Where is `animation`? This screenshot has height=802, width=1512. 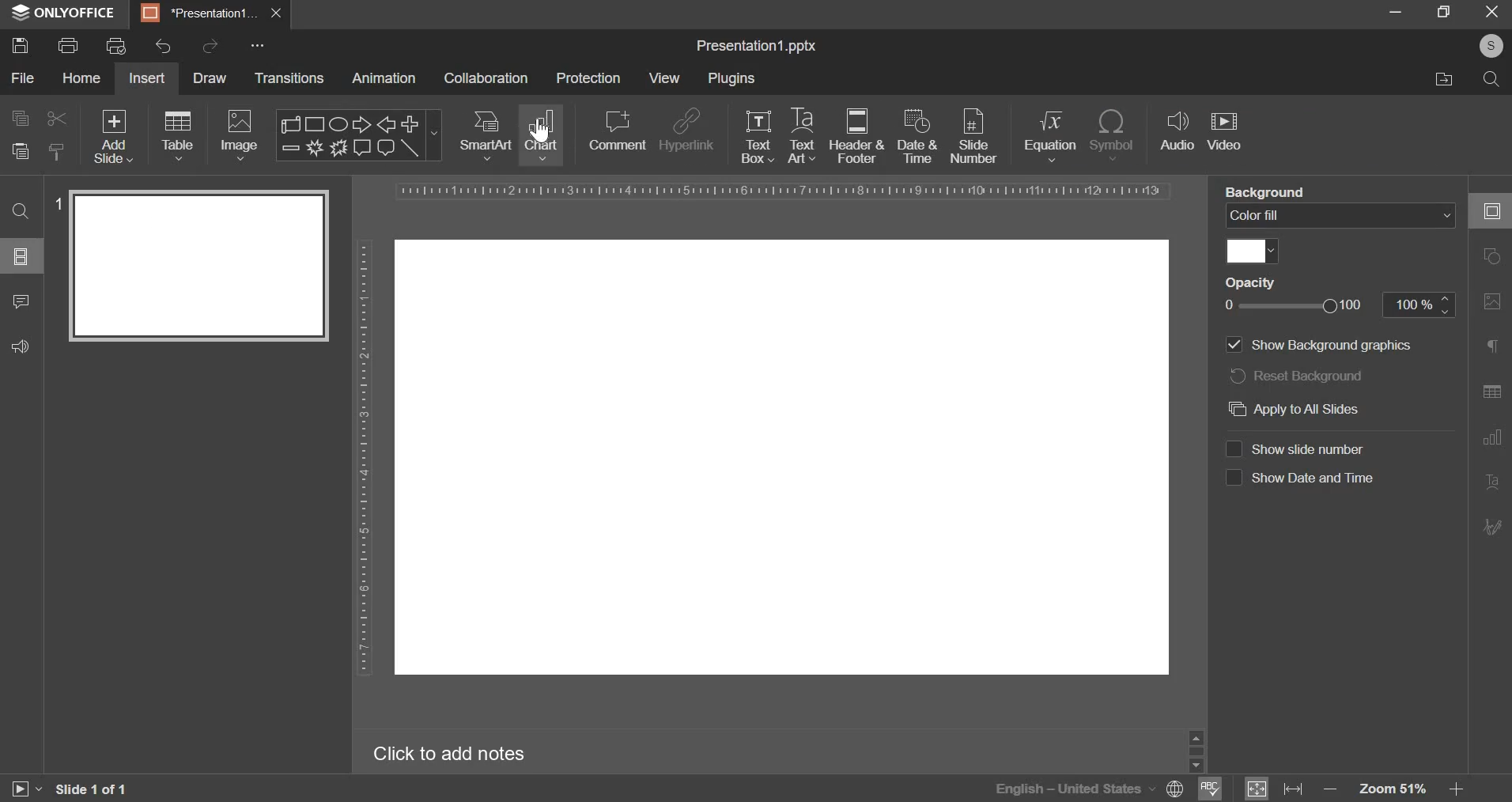
animation is located at coordinates (383, 79).